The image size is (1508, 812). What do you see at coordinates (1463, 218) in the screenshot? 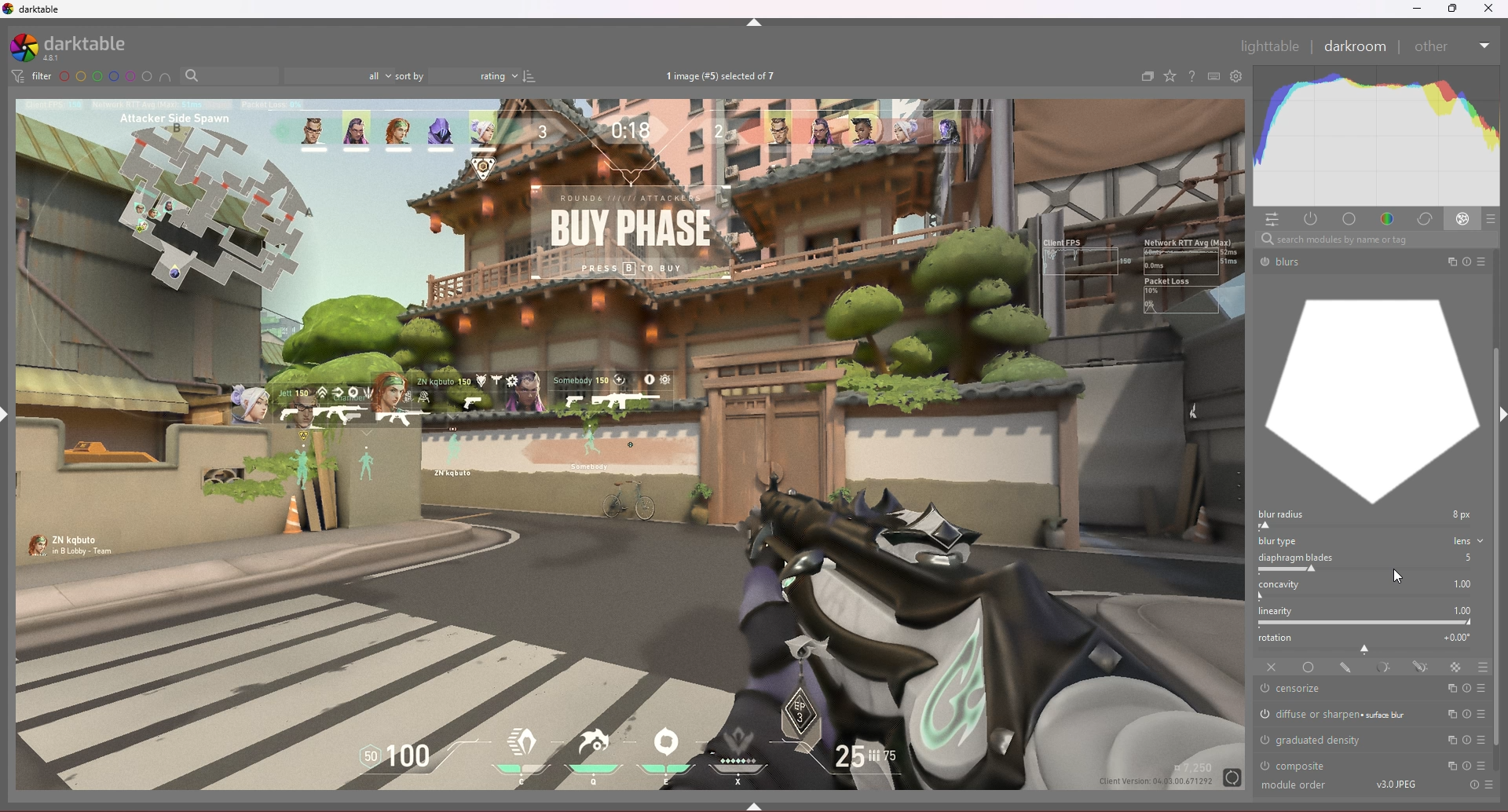
I see `effect` at bounding box center [1463, 218].